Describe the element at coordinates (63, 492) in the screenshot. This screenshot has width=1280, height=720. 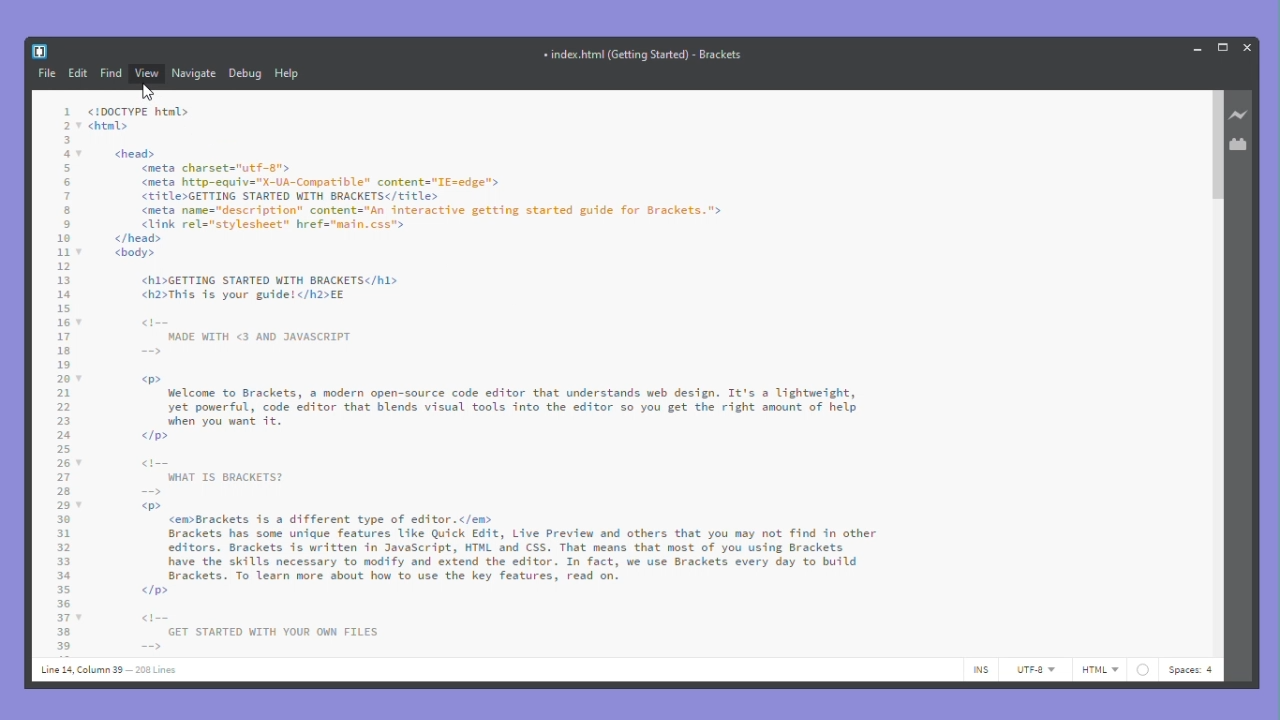
I see `28` at that location.